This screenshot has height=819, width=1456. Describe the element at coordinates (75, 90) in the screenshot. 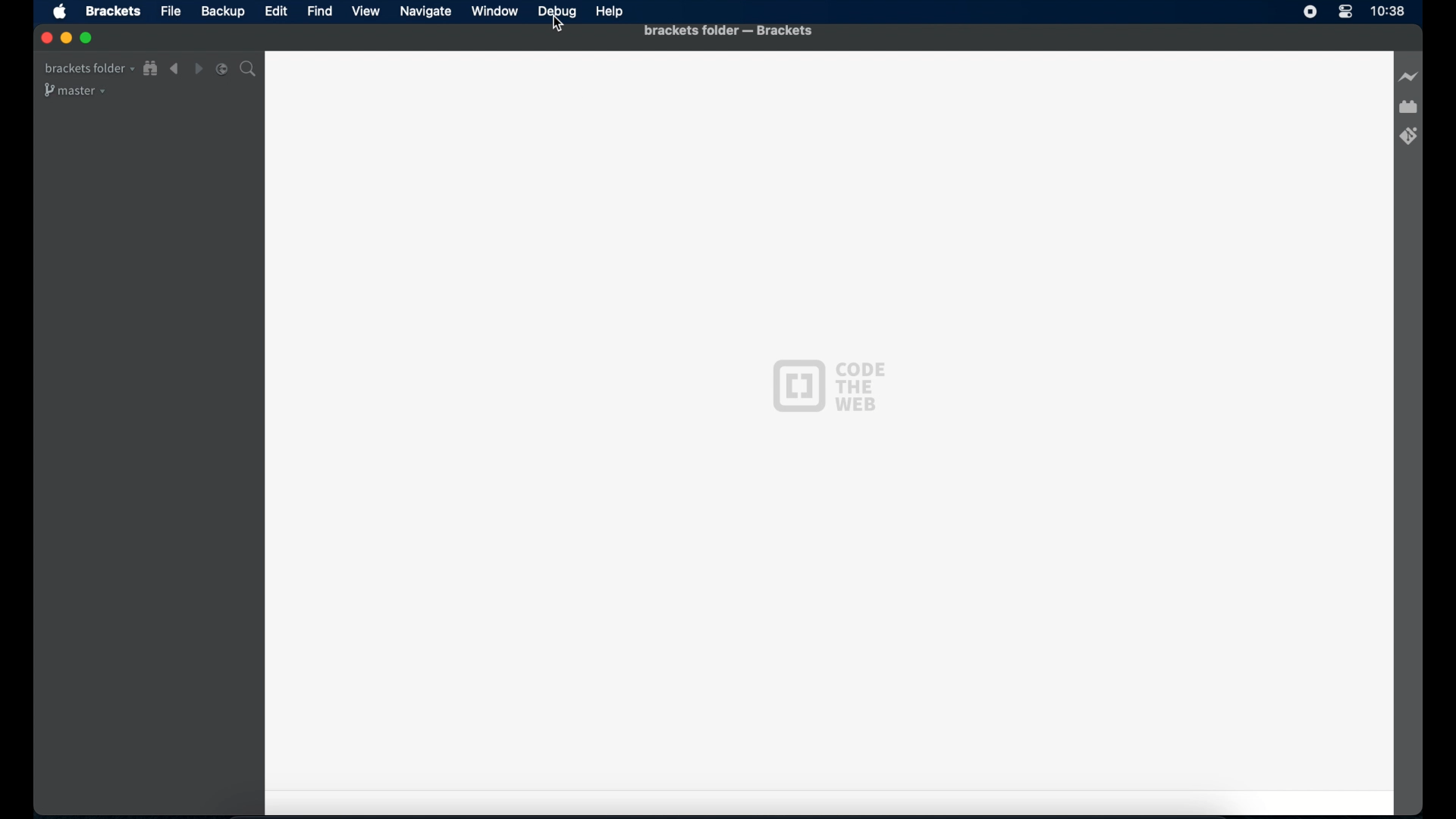

I see `master drop-down` at that location.